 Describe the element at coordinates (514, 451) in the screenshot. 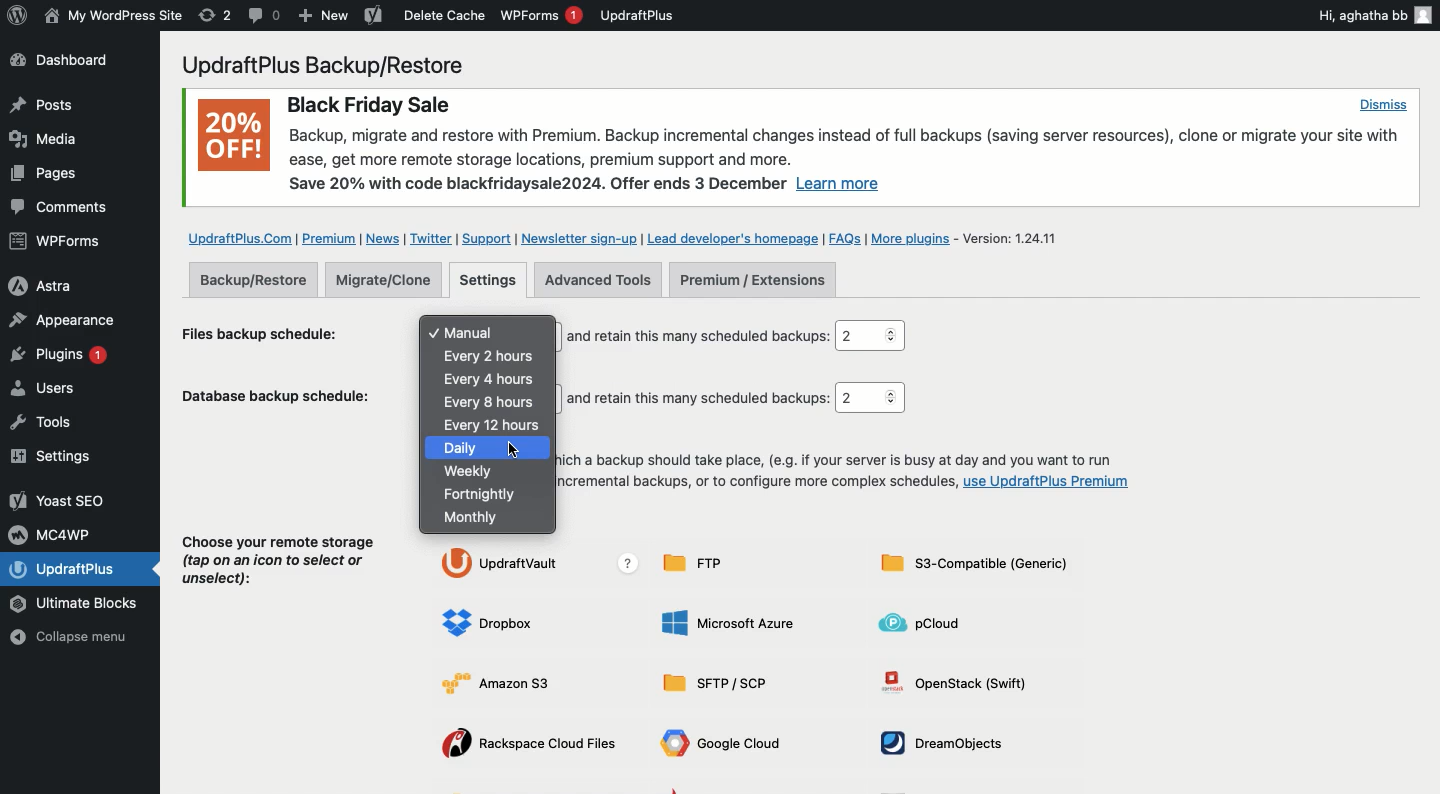

I see `Cursor` at that location.